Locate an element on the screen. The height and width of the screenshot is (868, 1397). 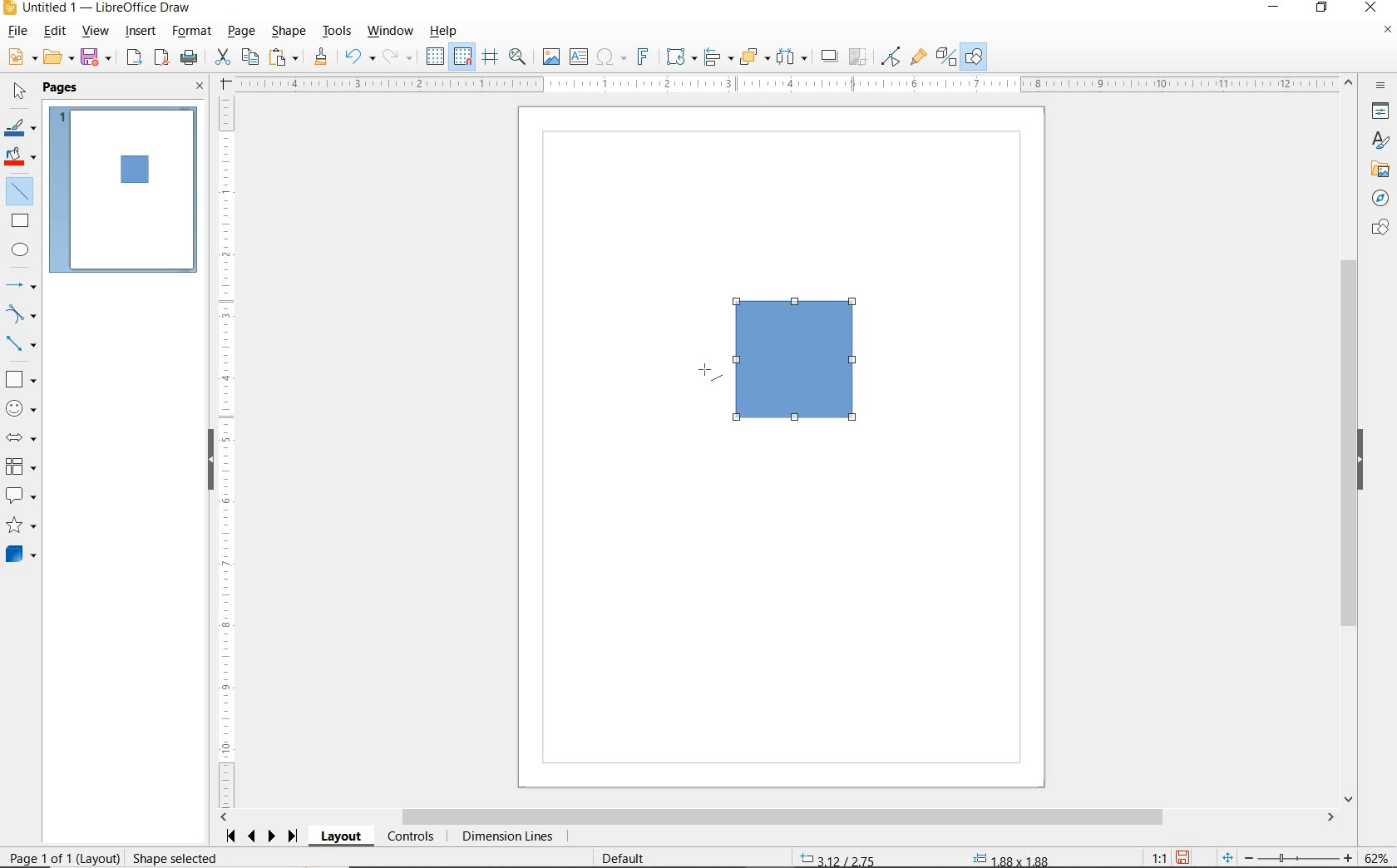
DEFAULT is located at coordinates (629, 859).